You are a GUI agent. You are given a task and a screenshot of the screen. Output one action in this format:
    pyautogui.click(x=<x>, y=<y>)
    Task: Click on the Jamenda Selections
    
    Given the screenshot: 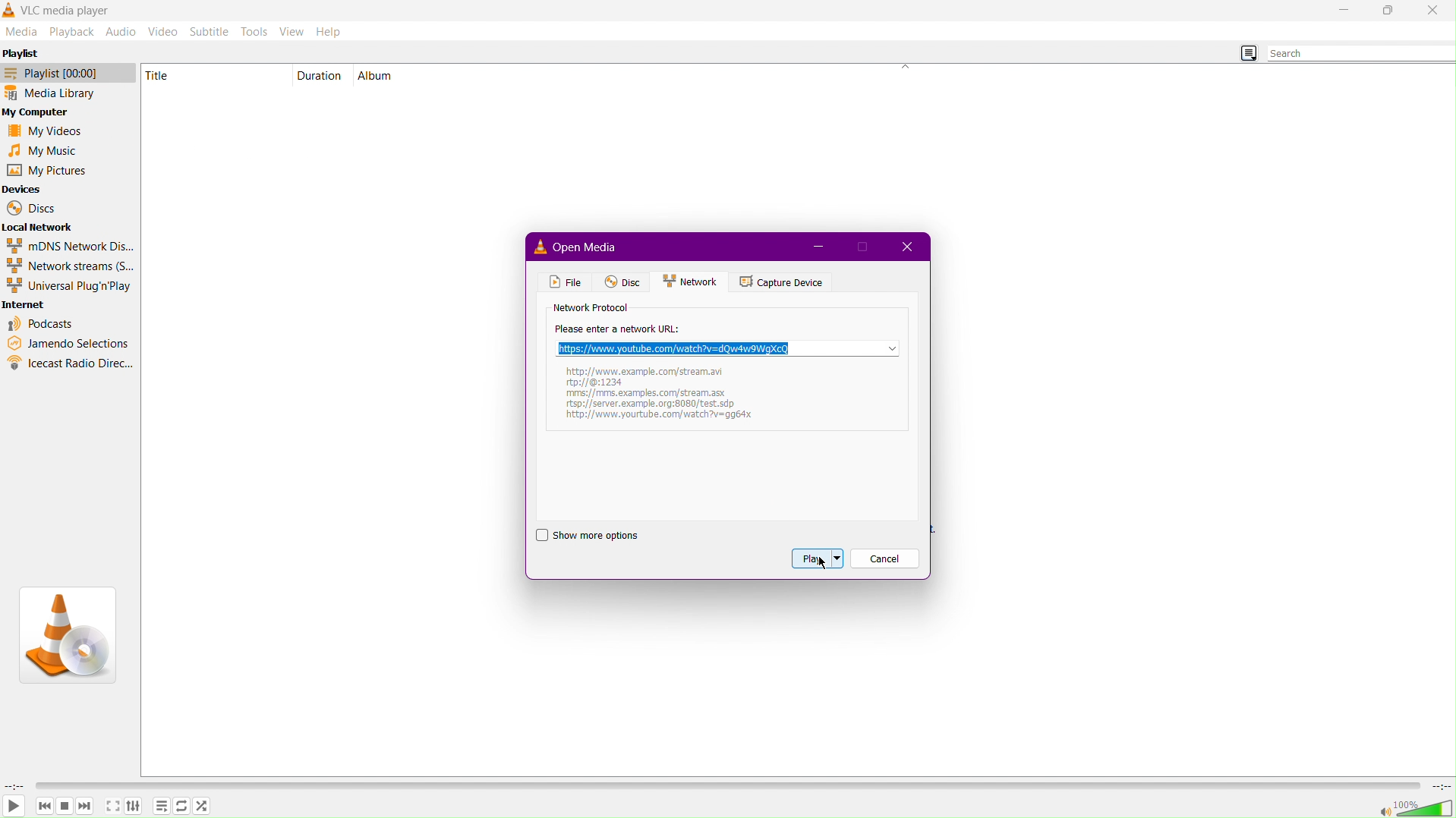 What is the action you would take?
    pyautogui.click(x=68, y=343)
    